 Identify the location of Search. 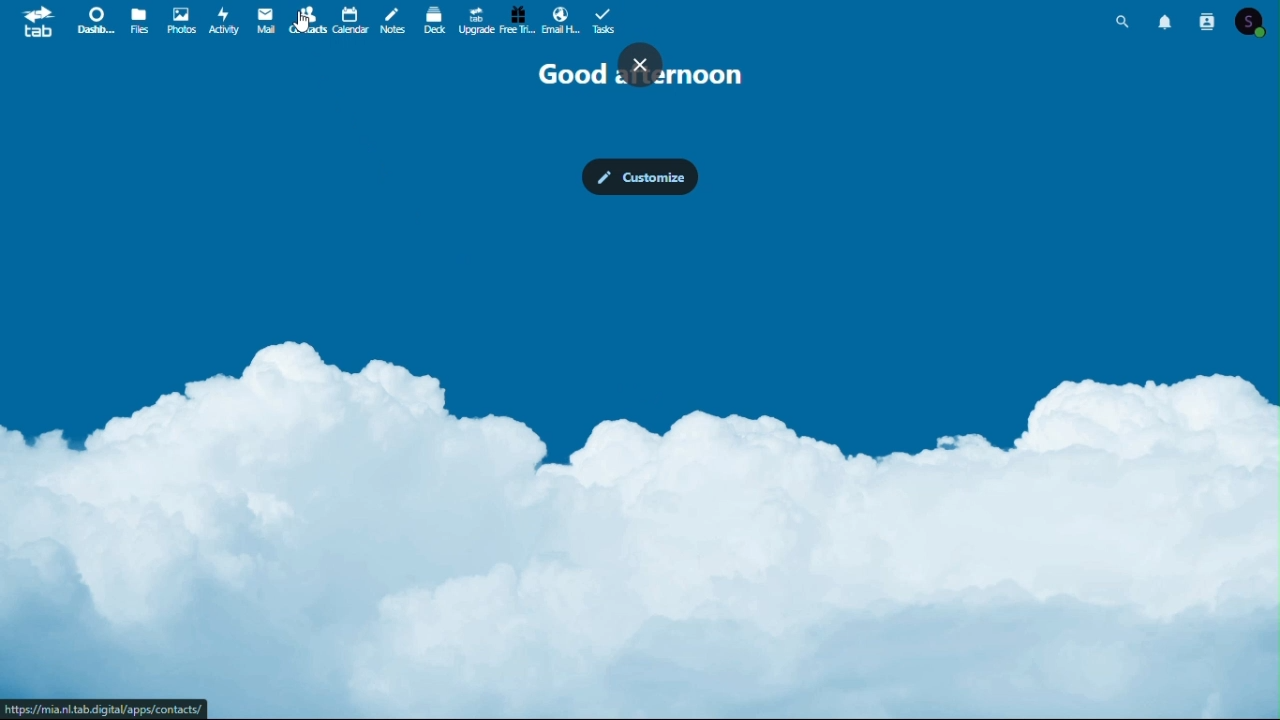
(1126, 21).